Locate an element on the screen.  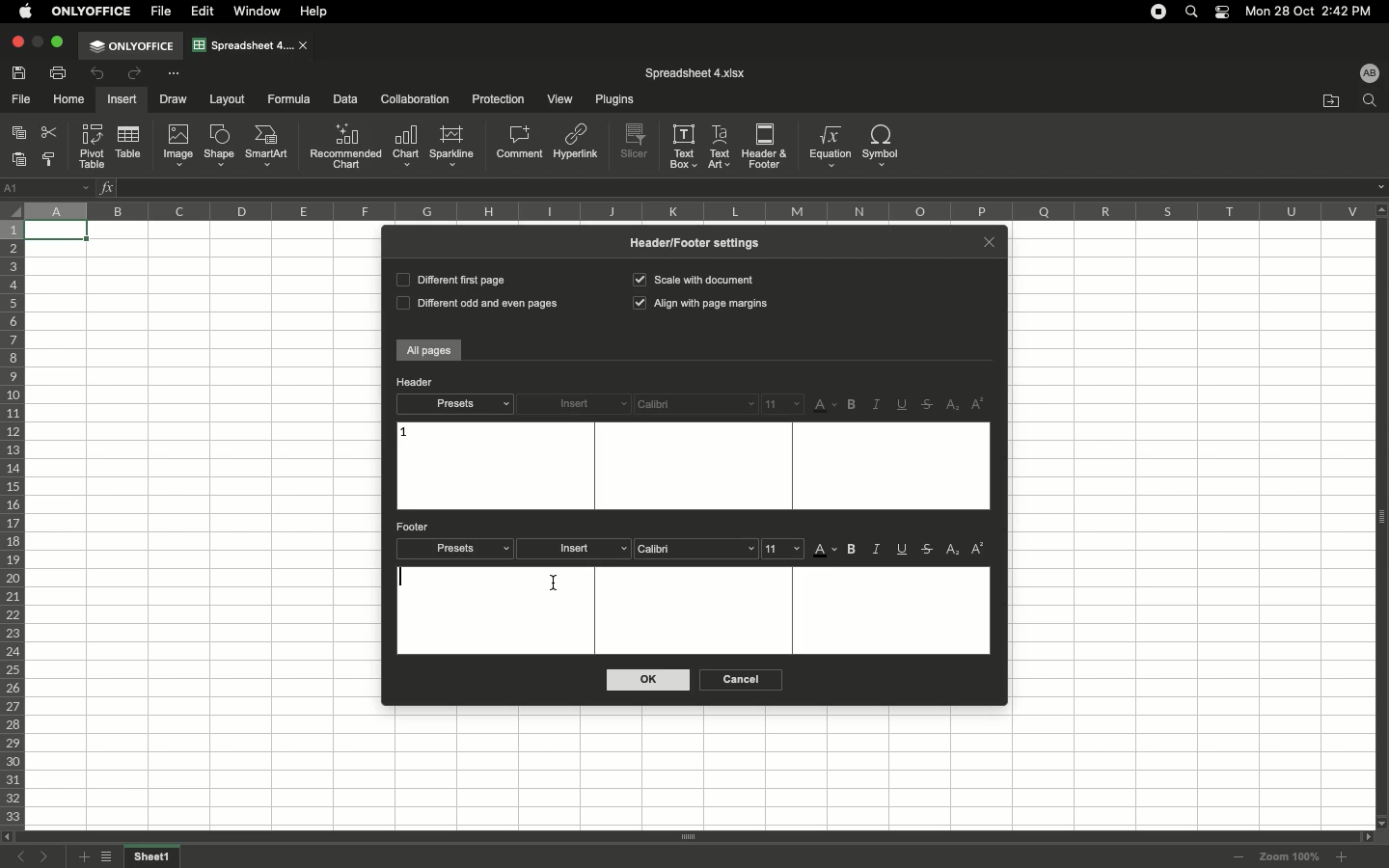
Header is located at coordinates (415, 382).